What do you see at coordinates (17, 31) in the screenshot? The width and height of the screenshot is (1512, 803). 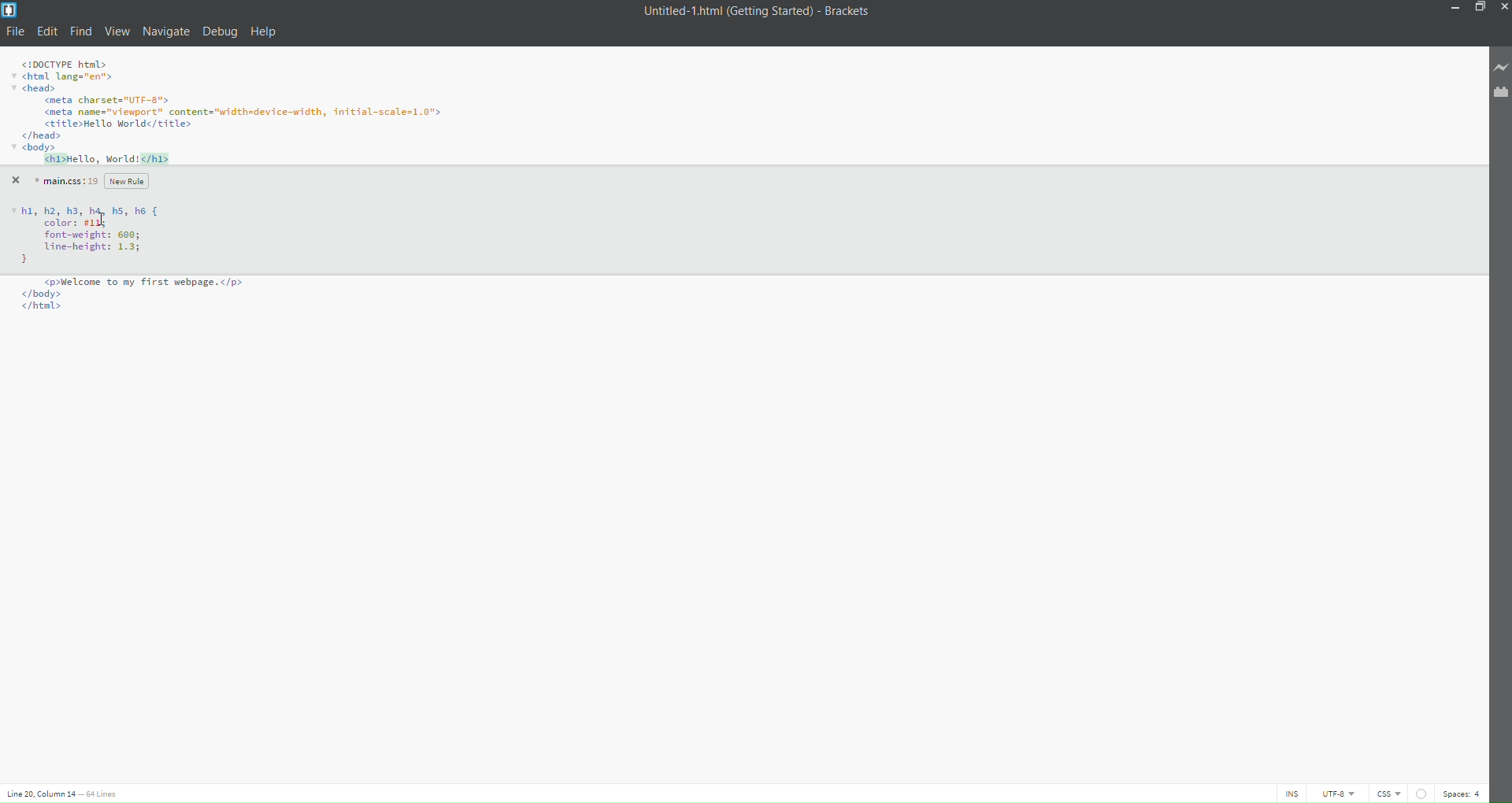 I see `file` at bounding box center [17, 31].